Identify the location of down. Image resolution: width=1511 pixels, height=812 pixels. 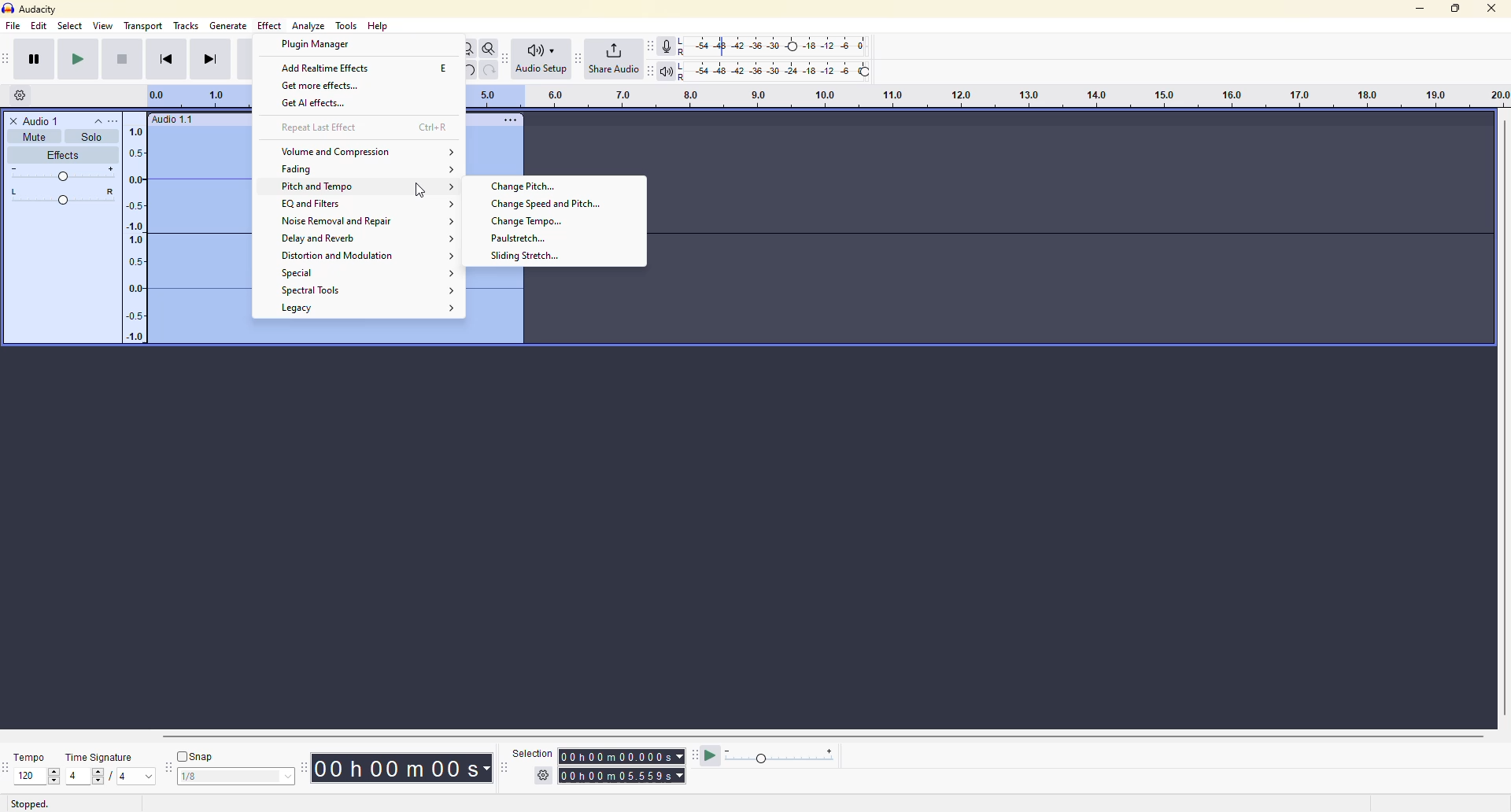
(54, 781).